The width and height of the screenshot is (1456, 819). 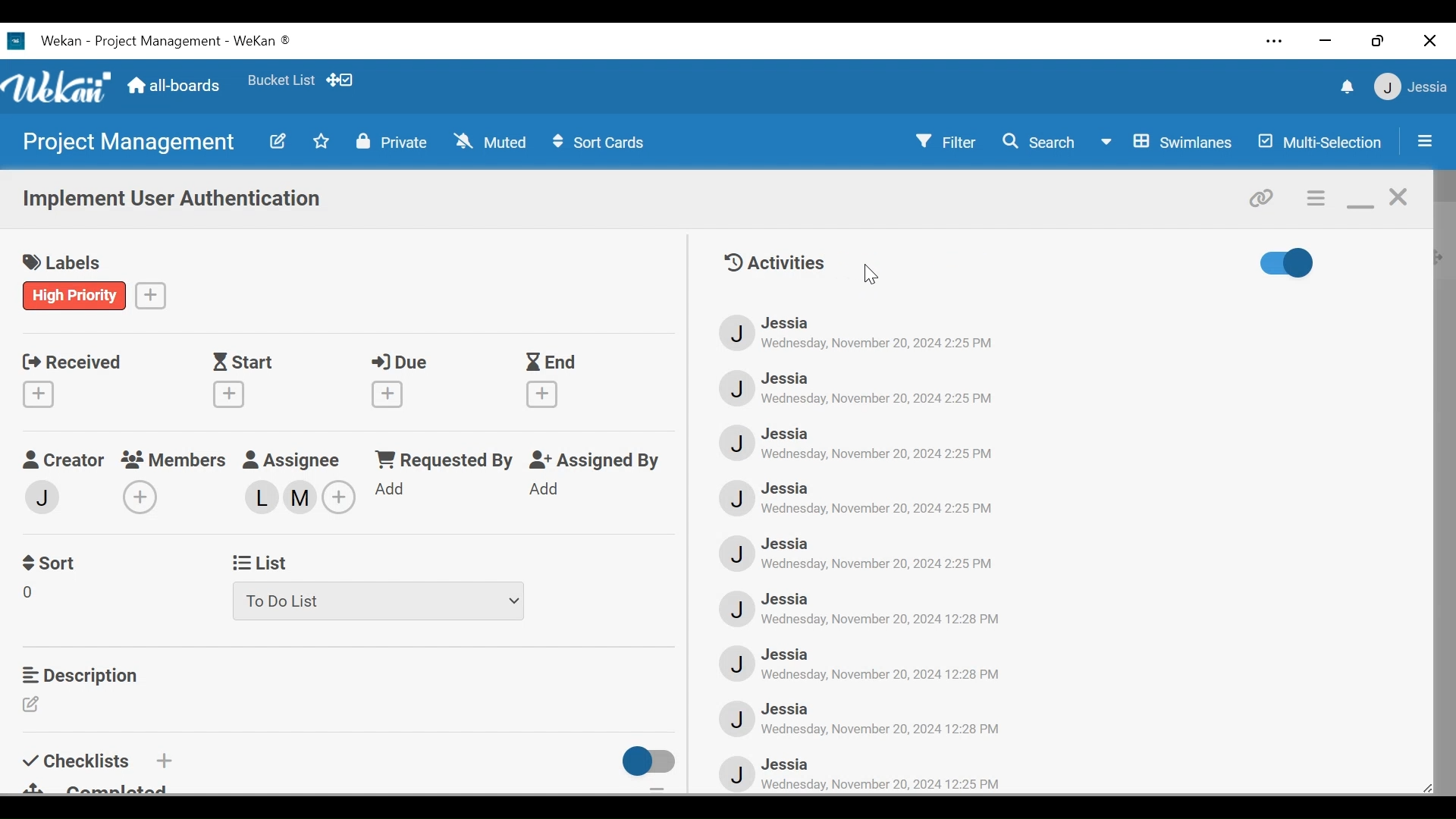 I want to click on cursor, so click(x=872, y=275).